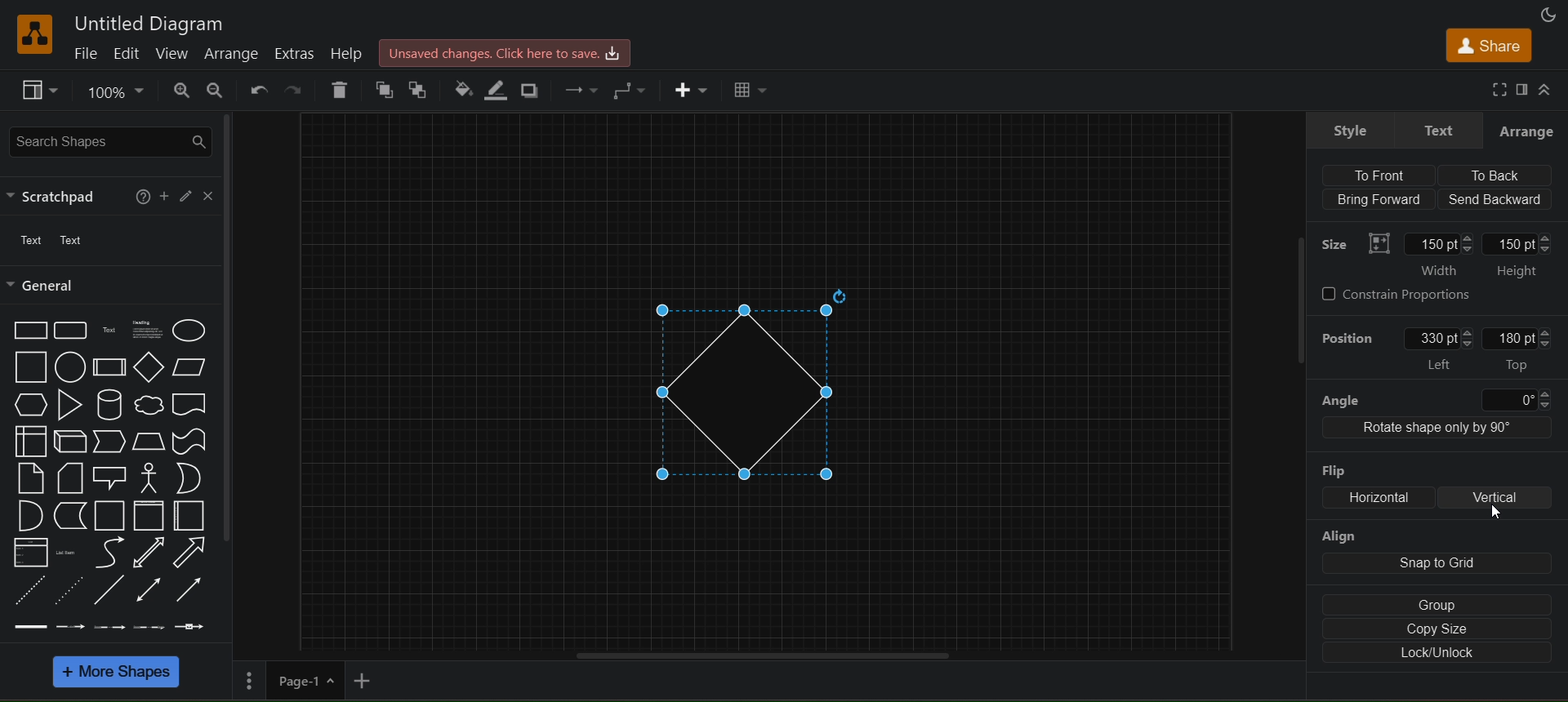  I want to click on item list, so click(69, 553).